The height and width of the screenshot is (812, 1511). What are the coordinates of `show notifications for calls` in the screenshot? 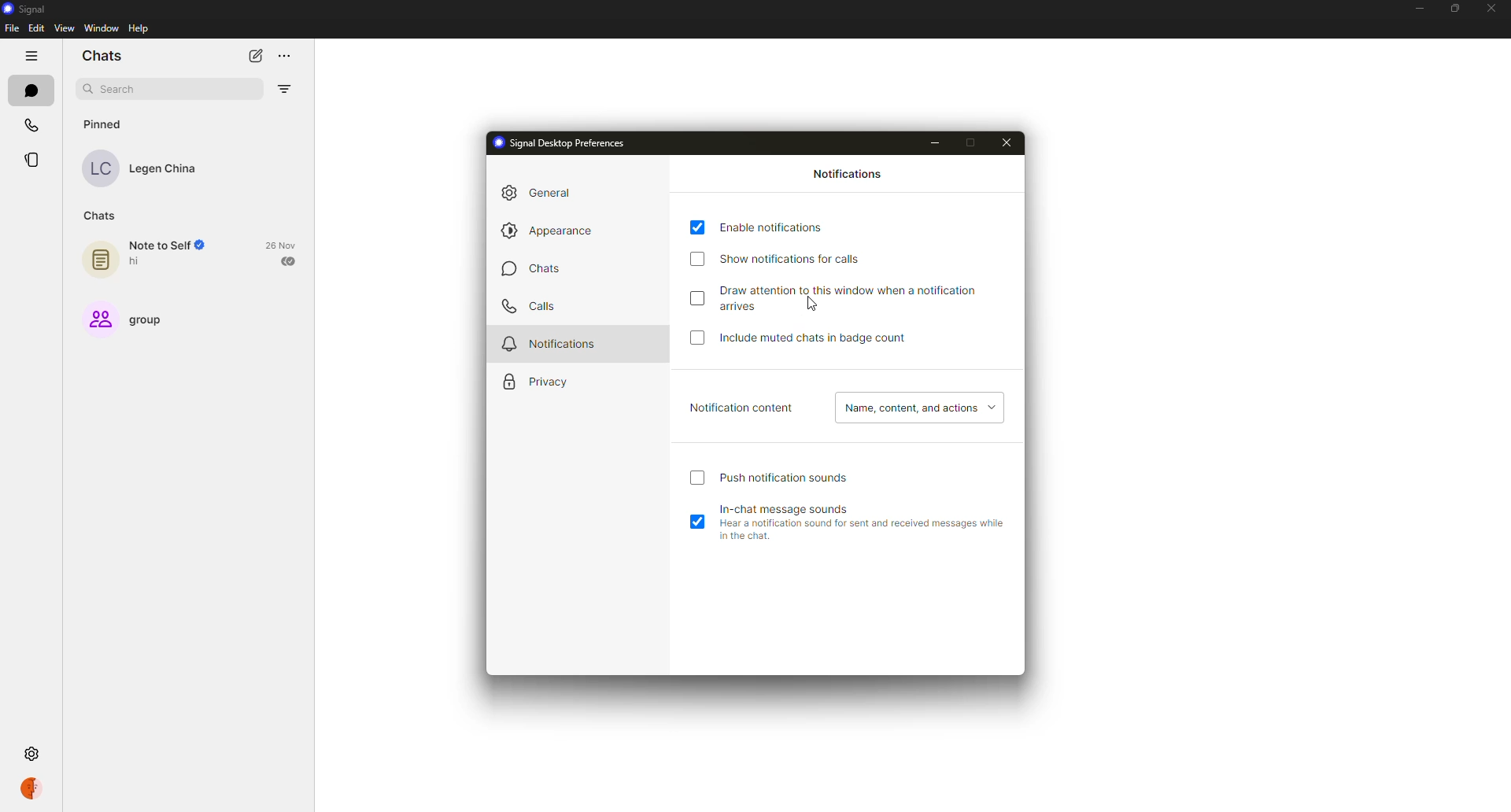 It's located at (800, 256).